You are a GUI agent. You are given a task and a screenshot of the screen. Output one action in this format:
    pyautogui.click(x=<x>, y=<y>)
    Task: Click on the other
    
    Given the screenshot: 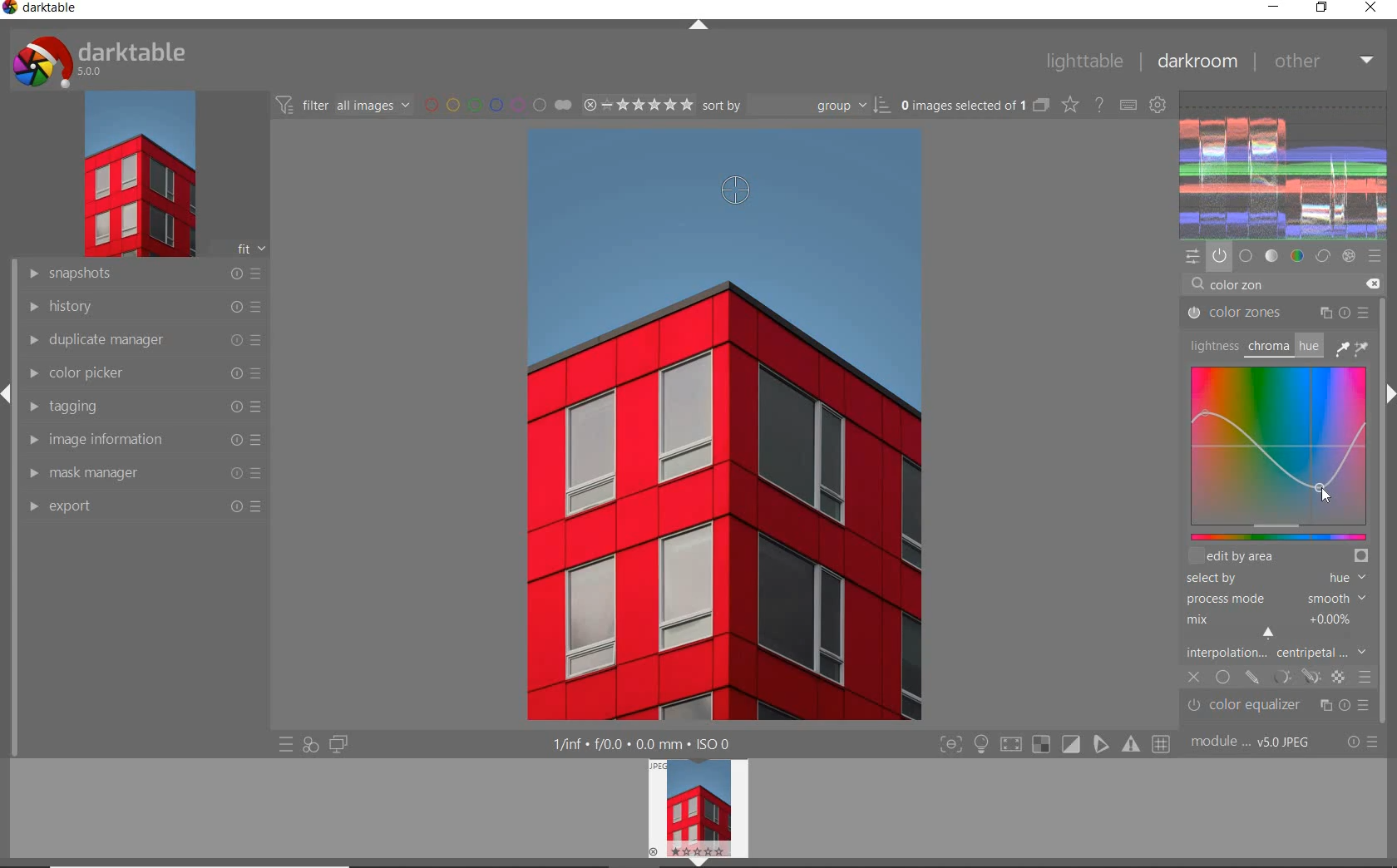 What is the action you would take?
    pyautogui.click(x=1324, y=60)
    